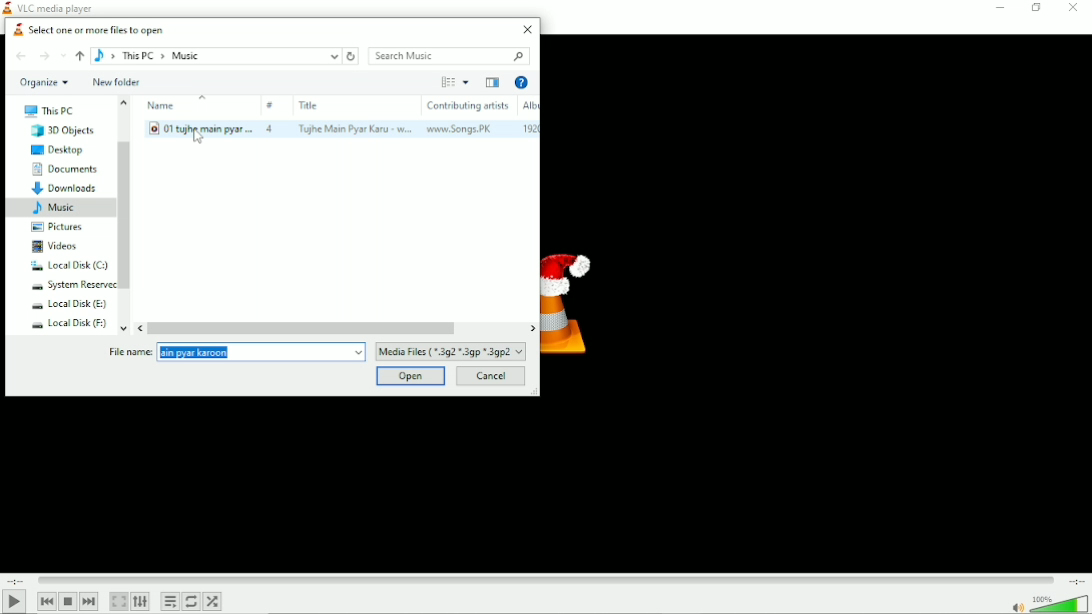 This screenshot has width=1092, height=614. What do you see at coordinates (306, 326) in the screenshot?
I see `Horizontal scrollbar` at bounding box center [306, 326].